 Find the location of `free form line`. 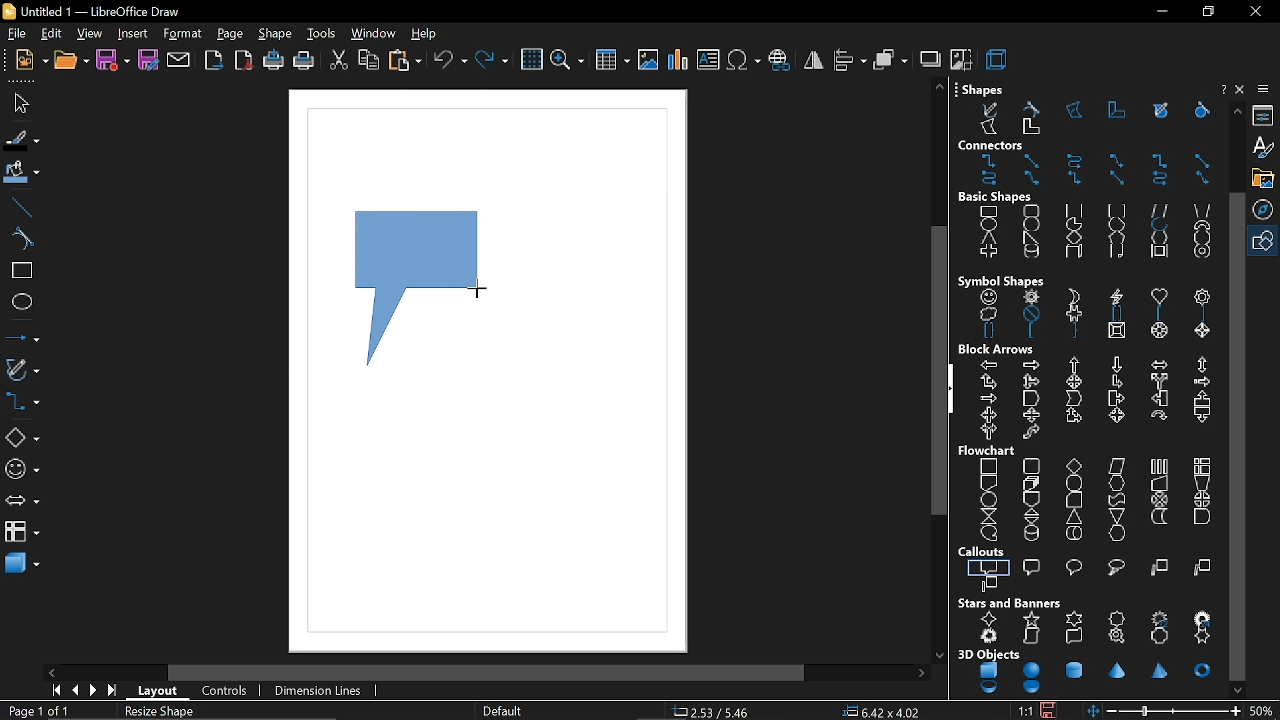

free form line is located at coordinates (988, 108).